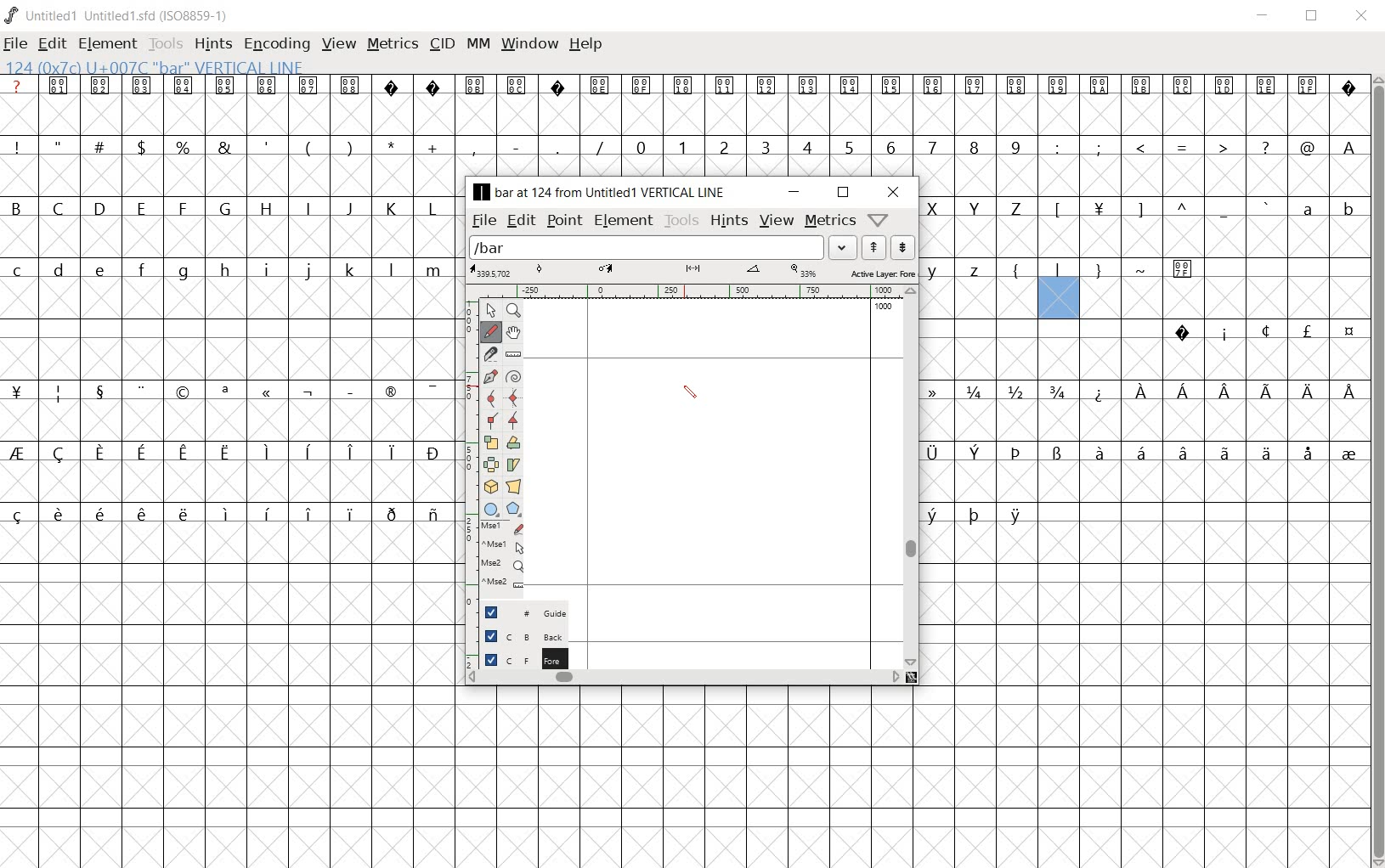 Image resolution: width=1385 pixels, height=868 pixels. I want to click on empty cells, so click(1142, 177).